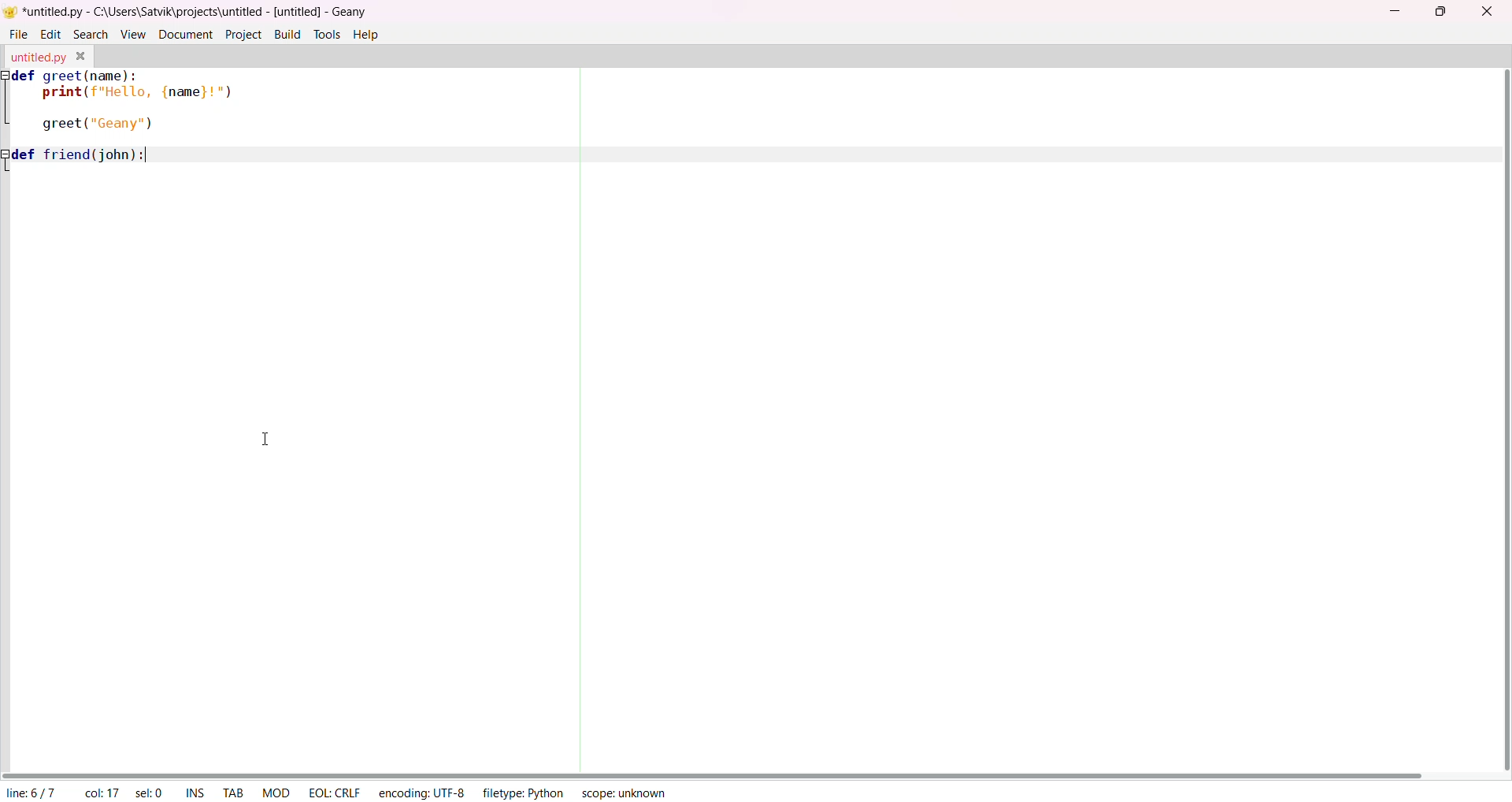 The width and height of the screenshot is (1512, 802). I want to click on minimize, so click(1389, 13).